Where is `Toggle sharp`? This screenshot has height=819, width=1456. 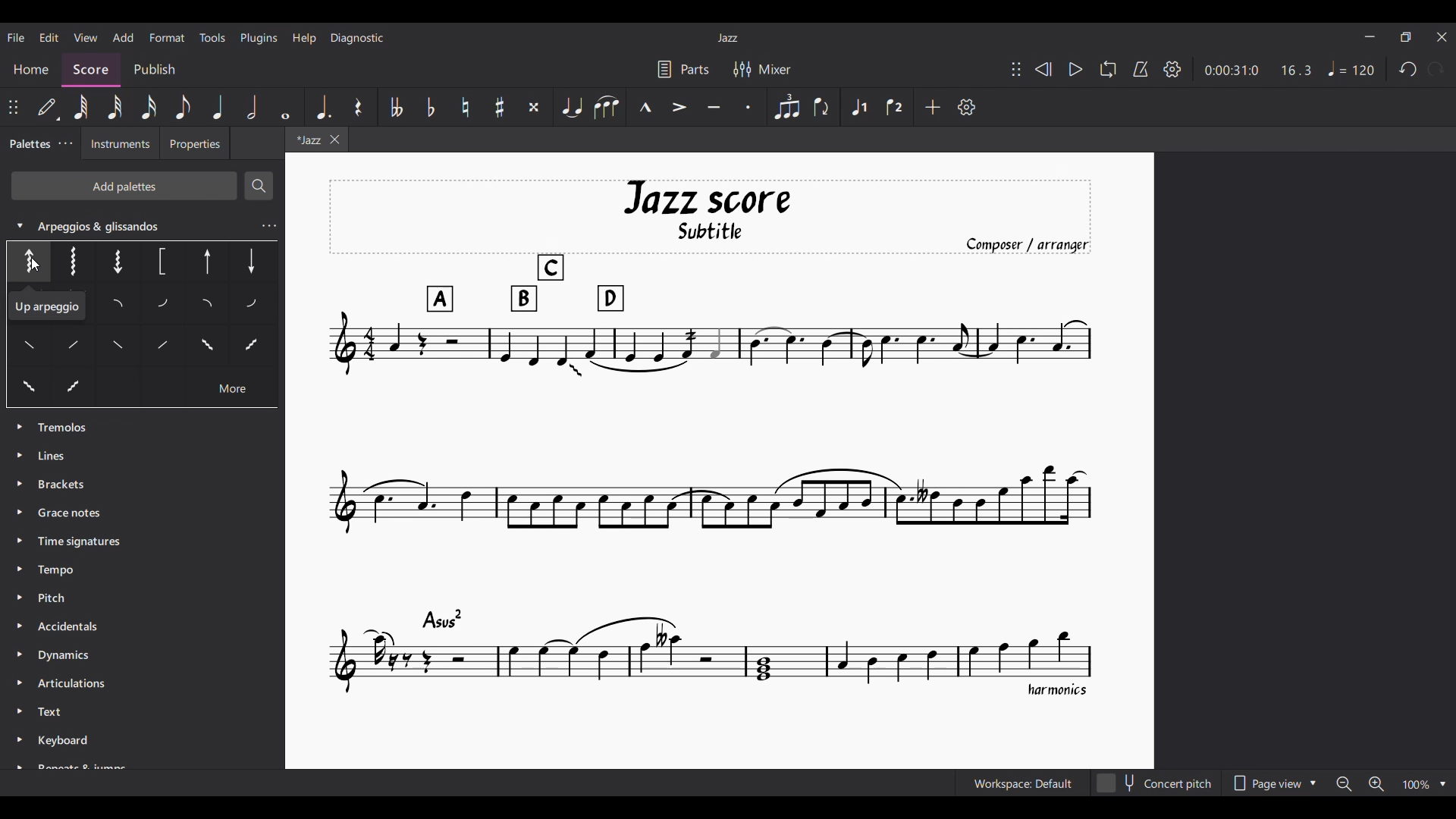
Toggle sharp is located at coordinates (500, 107).